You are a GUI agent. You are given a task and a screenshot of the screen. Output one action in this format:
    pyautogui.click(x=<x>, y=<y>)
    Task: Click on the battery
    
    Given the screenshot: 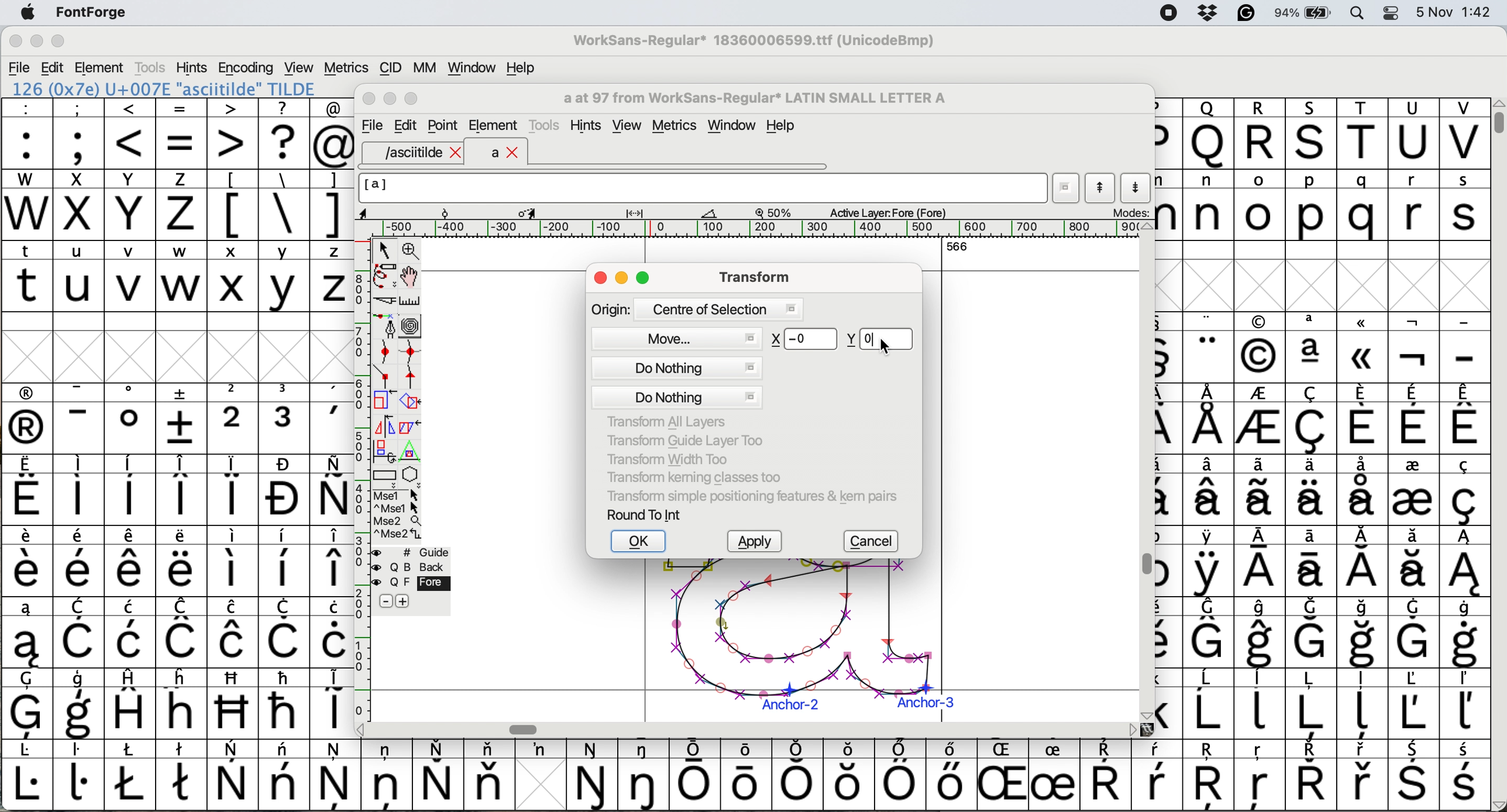 What is the action you would take?
    pyautogui.click(x=1308, y=12)
    